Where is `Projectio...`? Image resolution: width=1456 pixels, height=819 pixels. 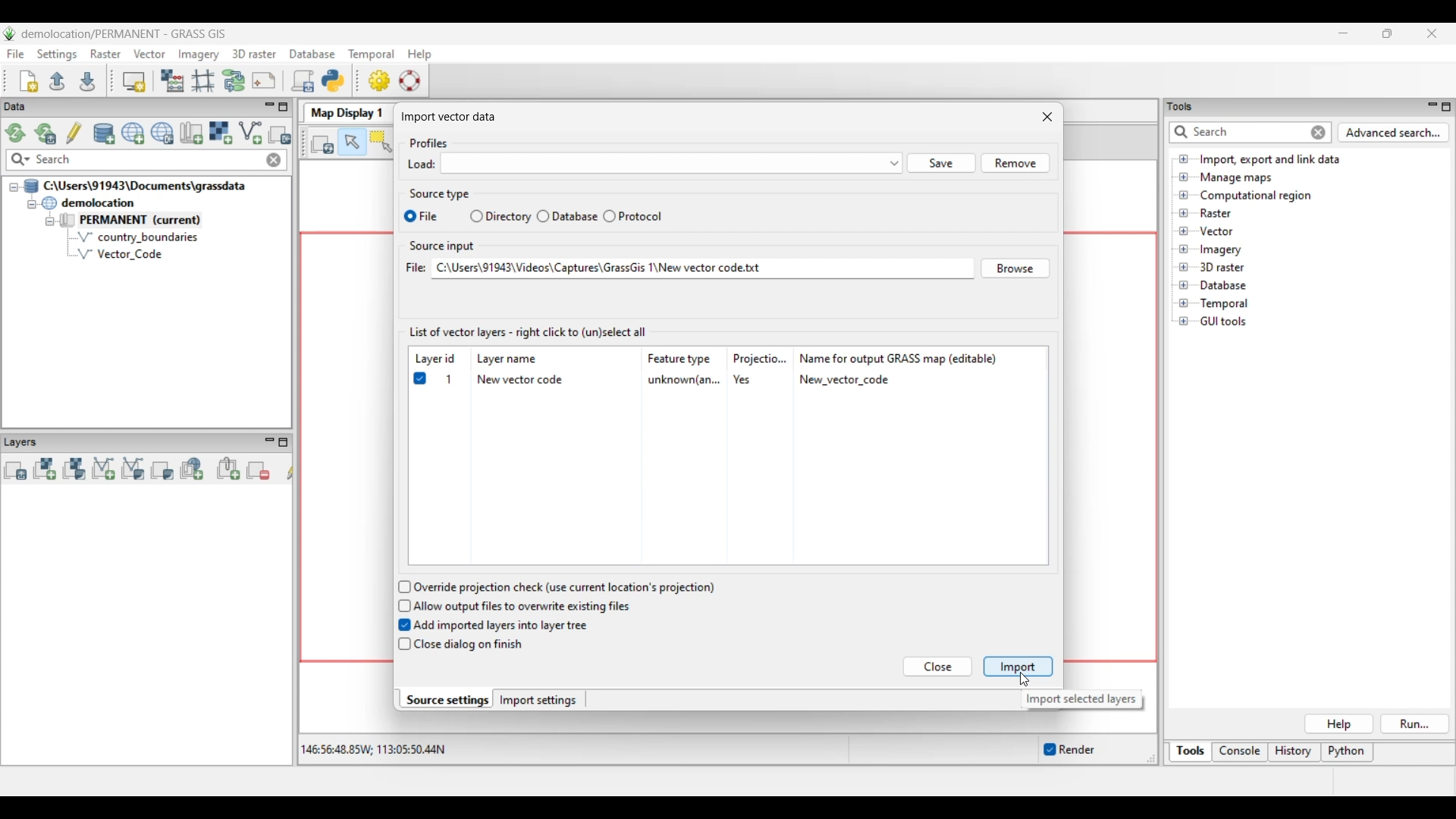 Projectio... is located at coordinates (762, 357).